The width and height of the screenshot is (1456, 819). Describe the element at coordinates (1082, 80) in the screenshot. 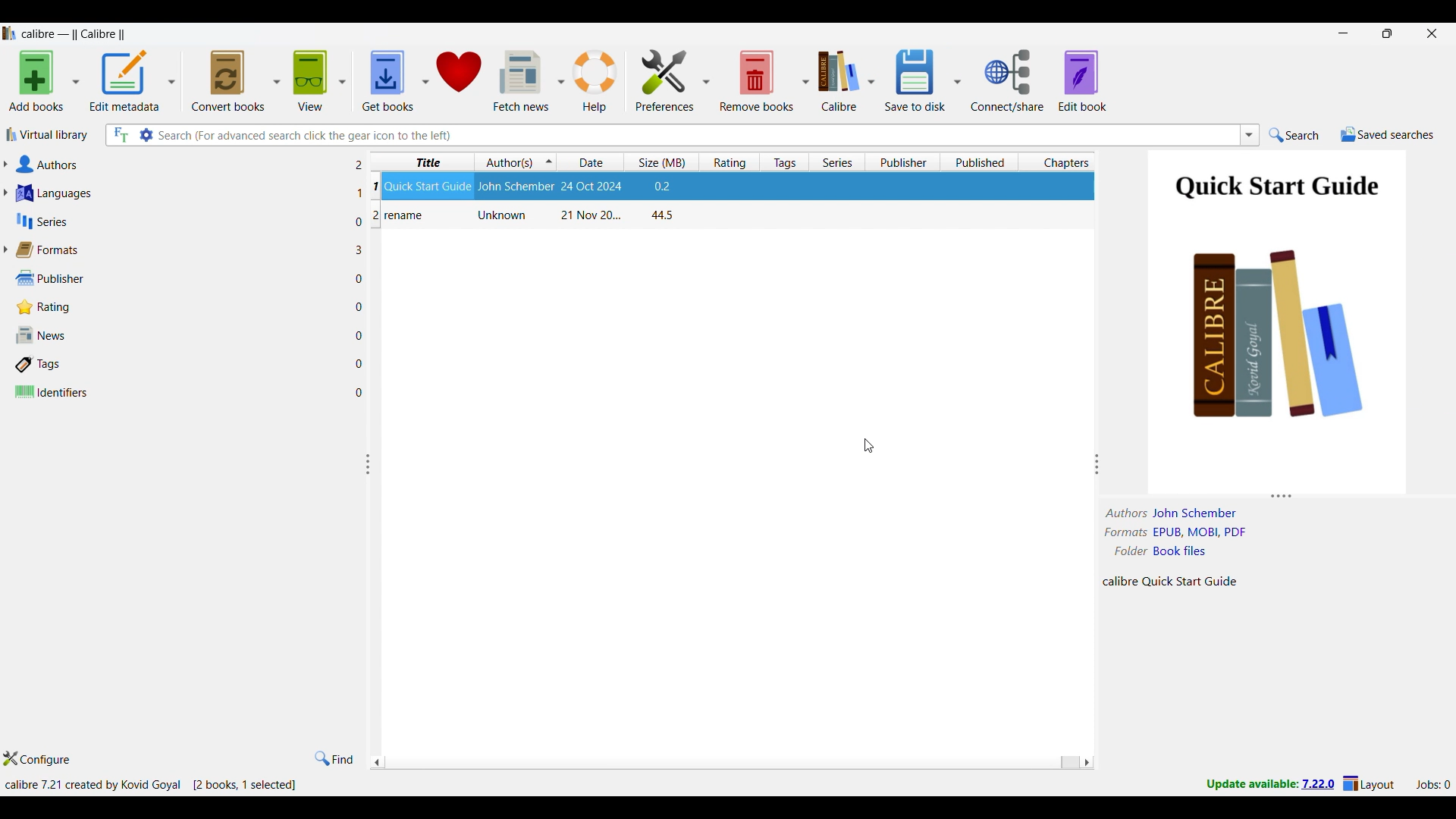

I see `Edit book` at that location.